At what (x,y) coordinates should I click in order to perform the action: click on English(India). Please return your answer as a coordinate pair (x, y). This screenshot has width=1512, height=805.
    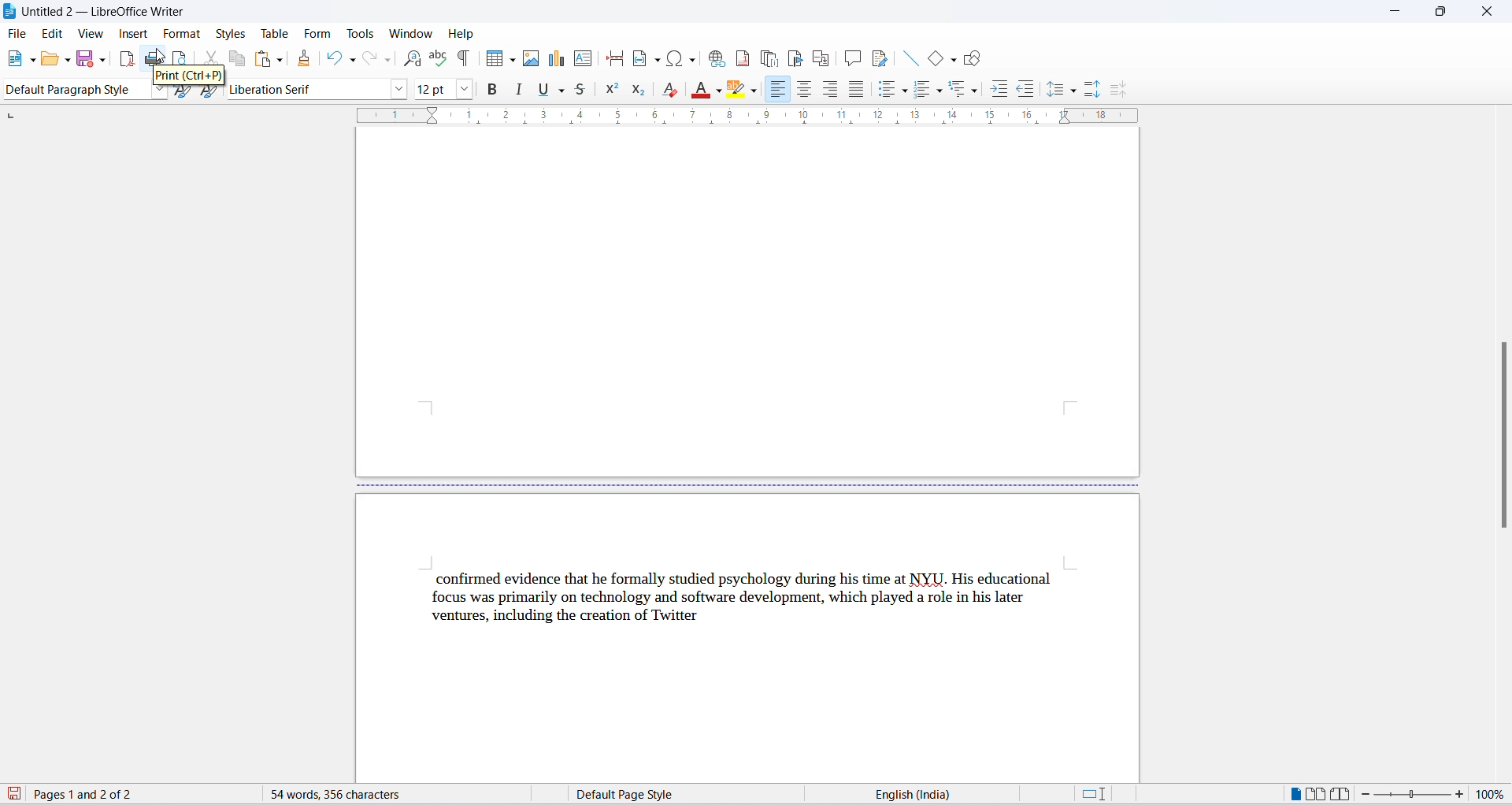
    Looking at the image, I should click on (958, 793).